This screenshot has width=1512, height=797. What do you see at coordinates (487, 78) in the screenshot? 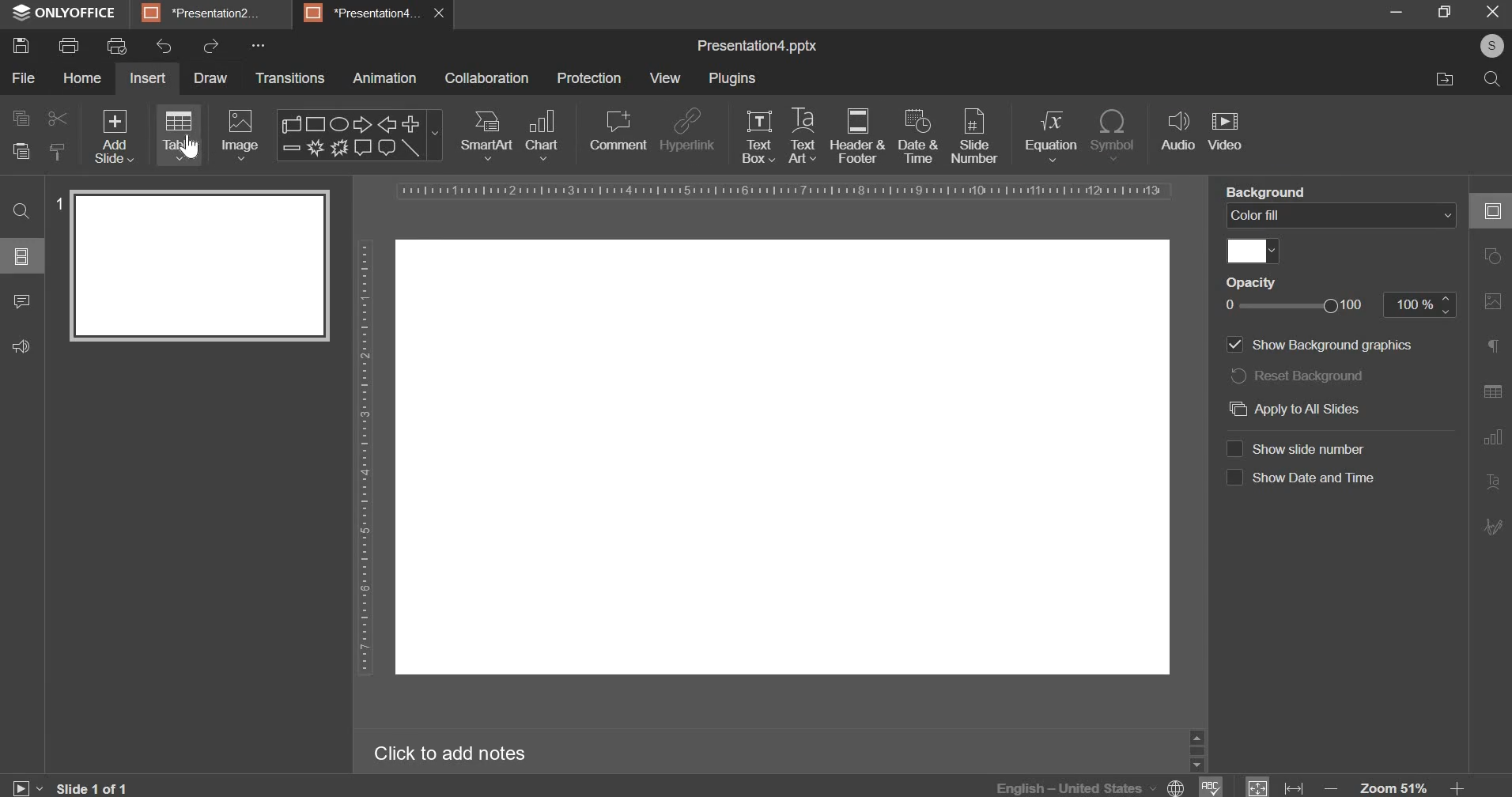
I see `collaboration` at bounding box center [487, 78].